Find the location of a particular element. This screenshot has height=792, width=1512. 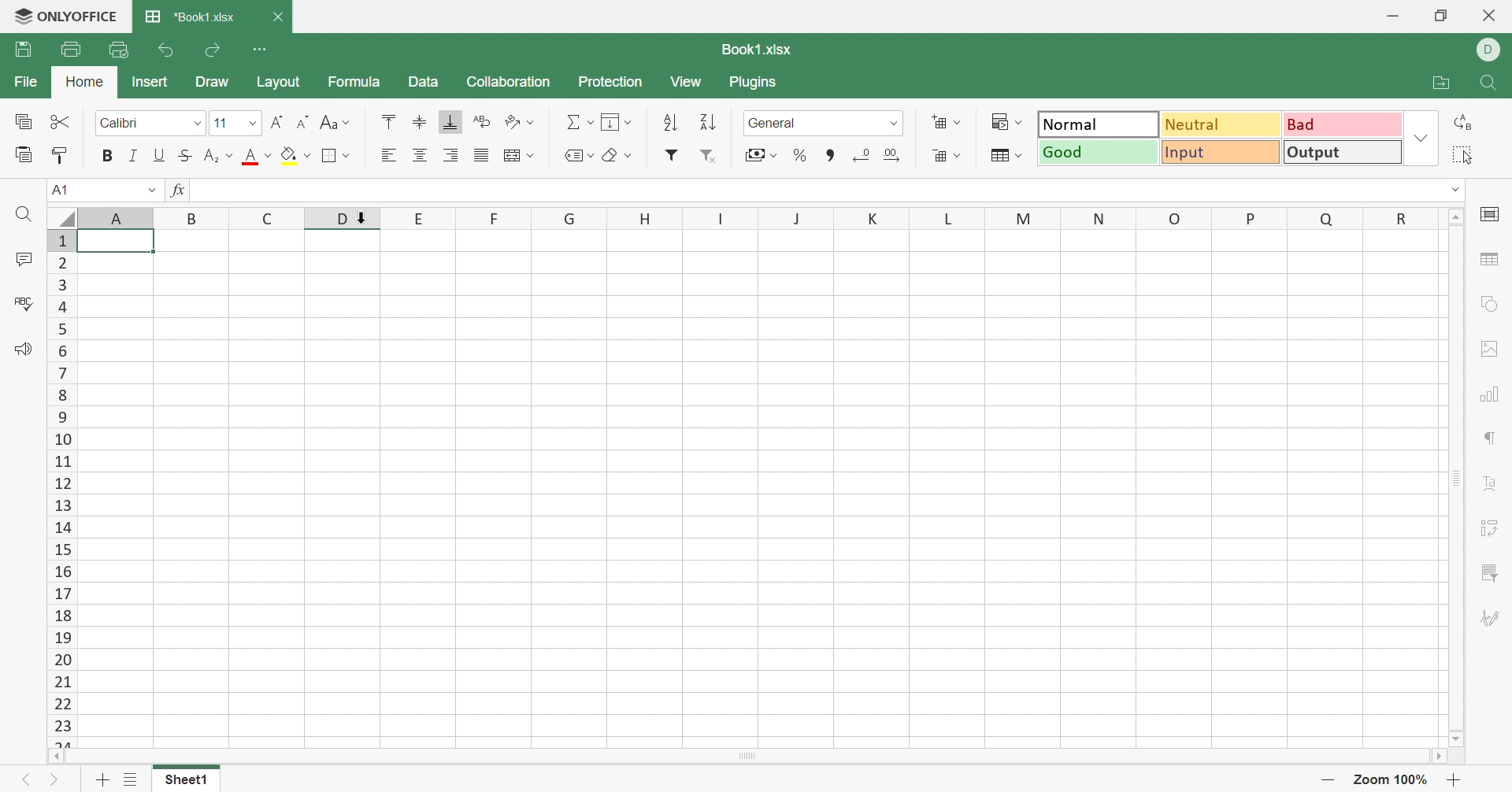

Draw is located at coordinates (212, 82).